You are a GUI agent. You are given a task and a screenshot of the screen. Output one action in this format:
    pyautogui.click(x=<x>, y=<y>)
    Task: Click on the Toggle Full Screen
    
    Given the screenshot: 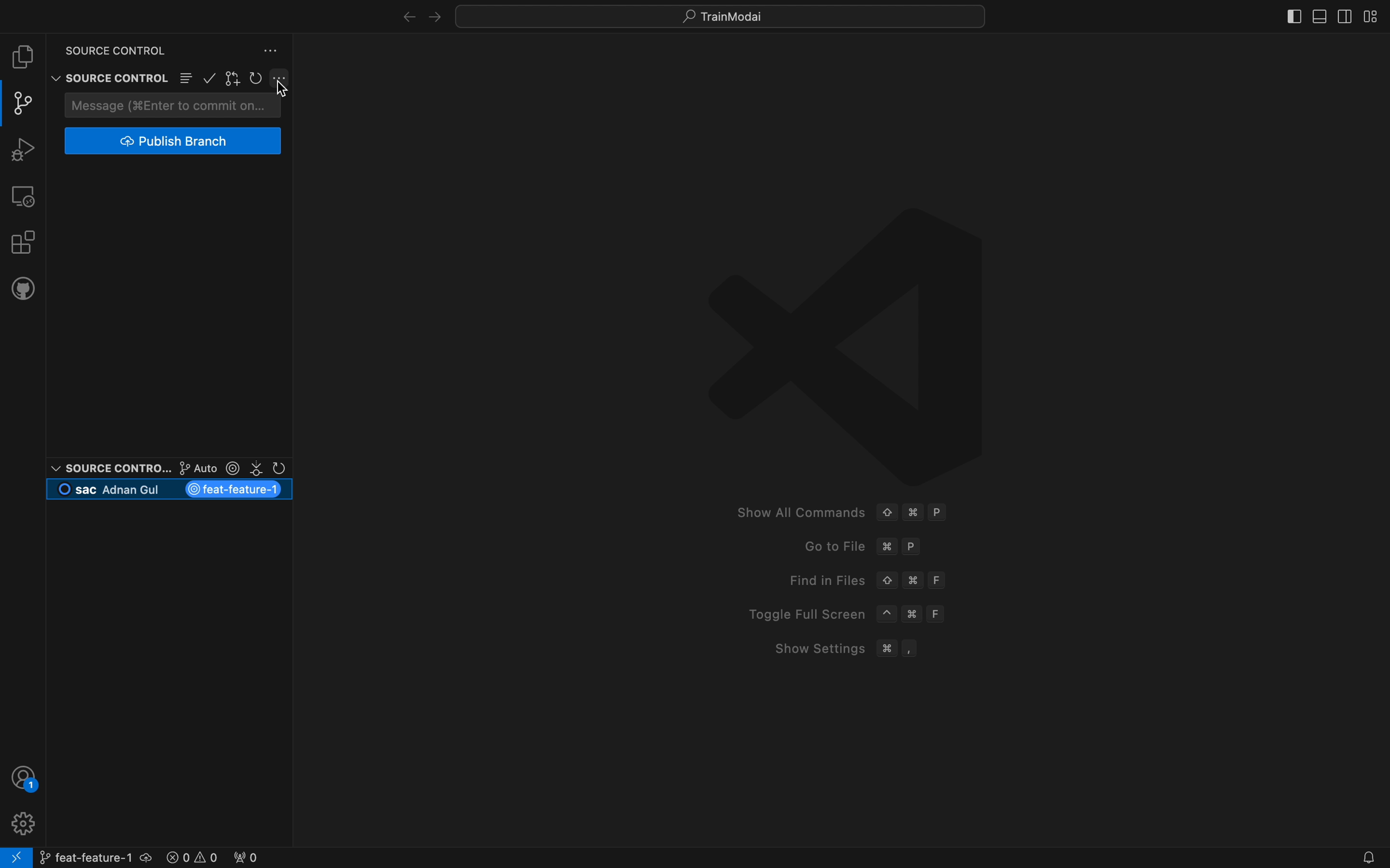 What is the action you would take?
    pyautogui.click(x=799, y=614)
    